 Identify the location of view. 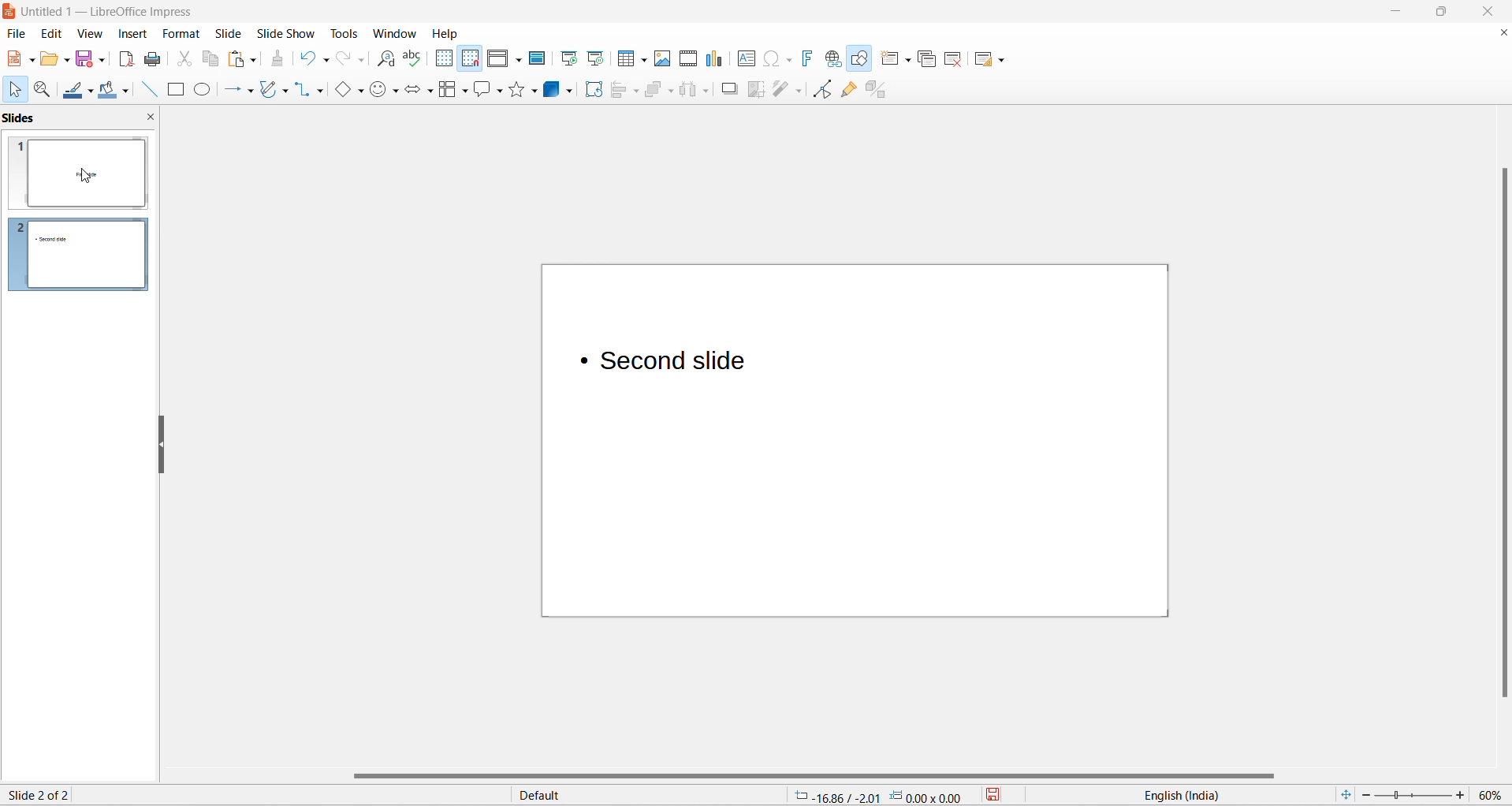
(92, 33).